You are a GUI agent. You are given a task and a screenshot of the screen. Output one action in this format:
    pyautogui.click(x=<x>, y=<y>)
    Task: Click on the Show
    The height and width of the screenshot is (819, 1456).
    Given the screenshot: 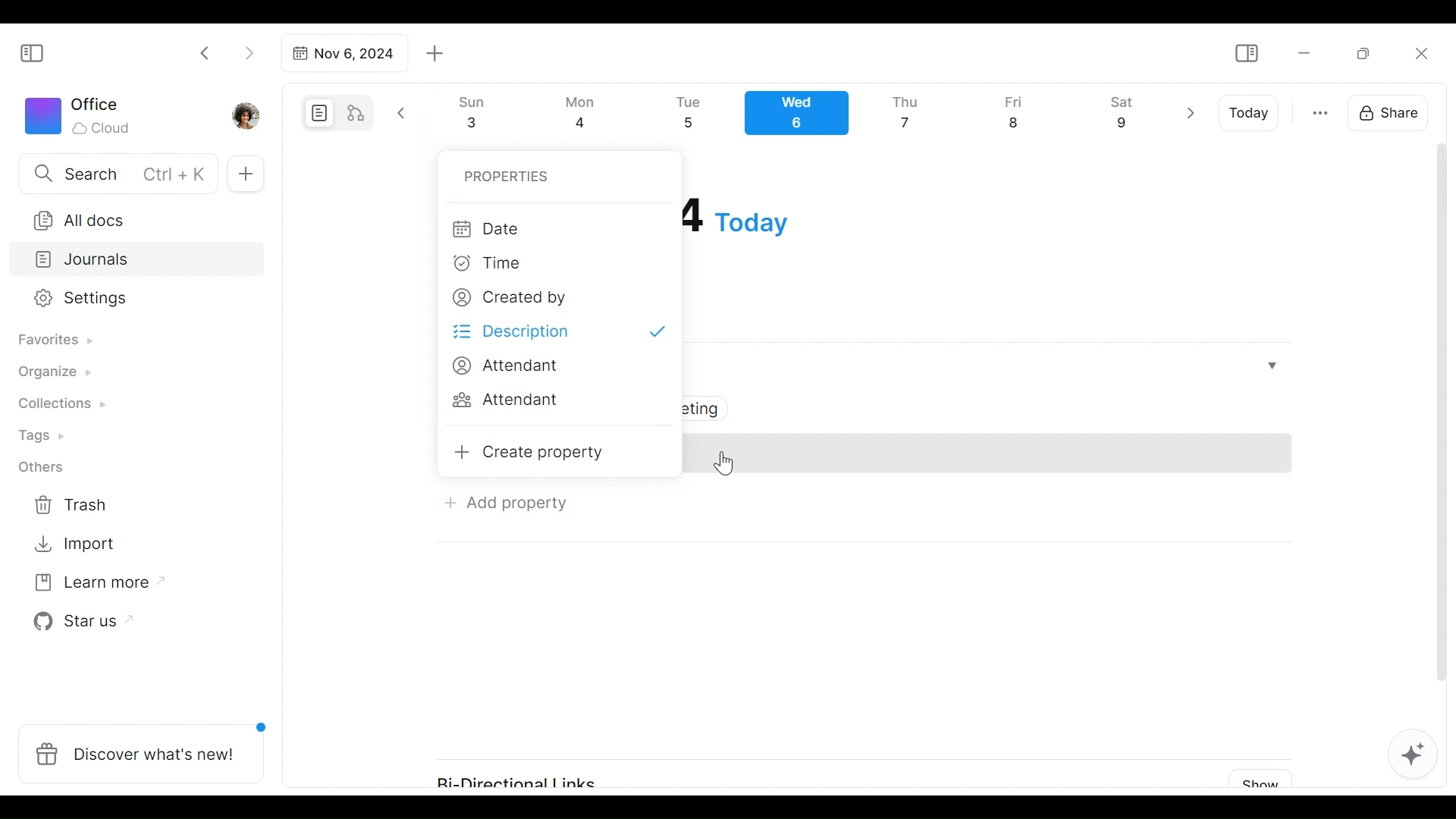 What is the action you would take?
    pyautogui.click(x=1259, y=777)
    